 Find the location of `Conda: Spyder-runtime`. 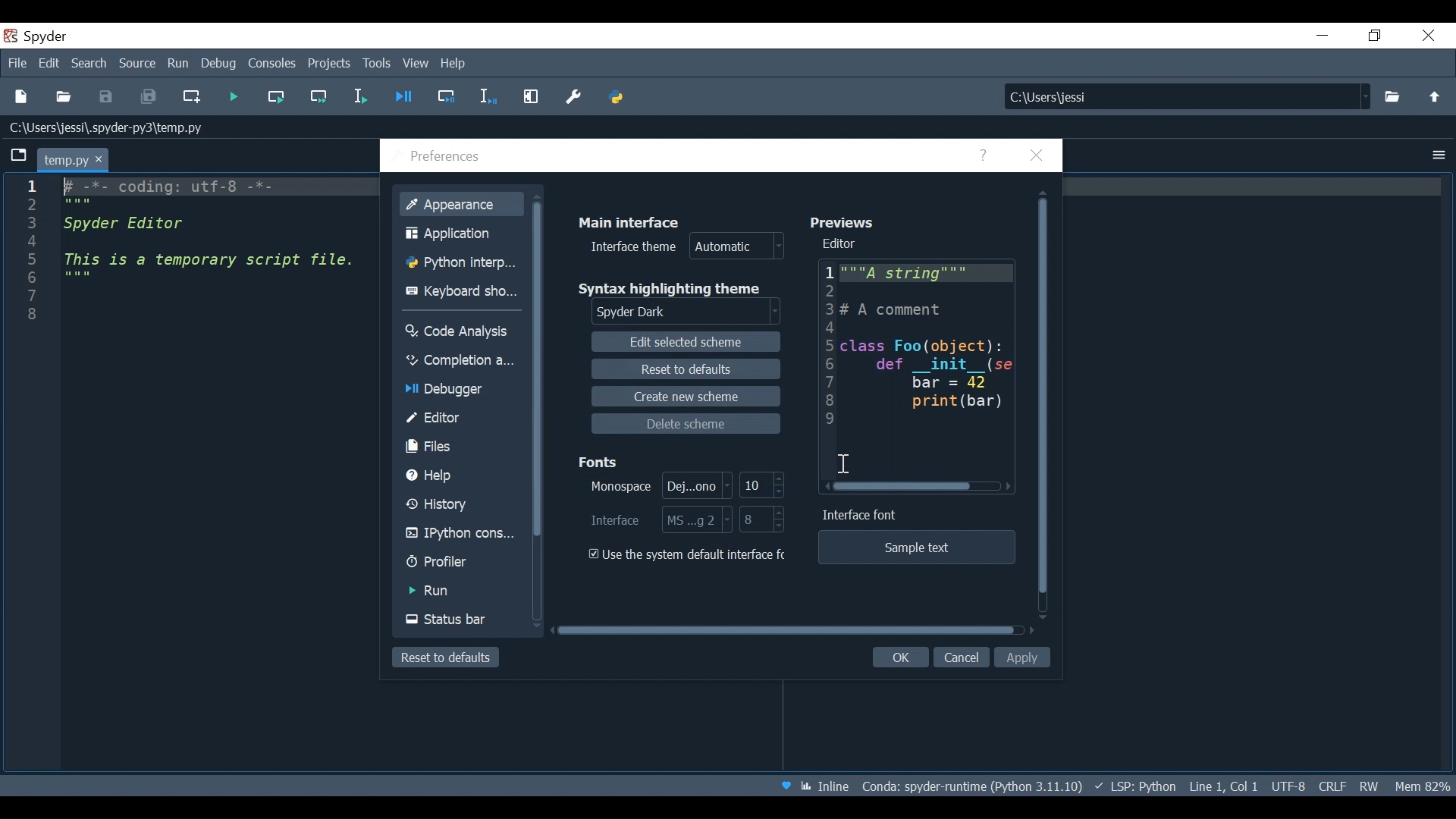

Conda: Spyder-runtime is located at coordinates (971, 786).